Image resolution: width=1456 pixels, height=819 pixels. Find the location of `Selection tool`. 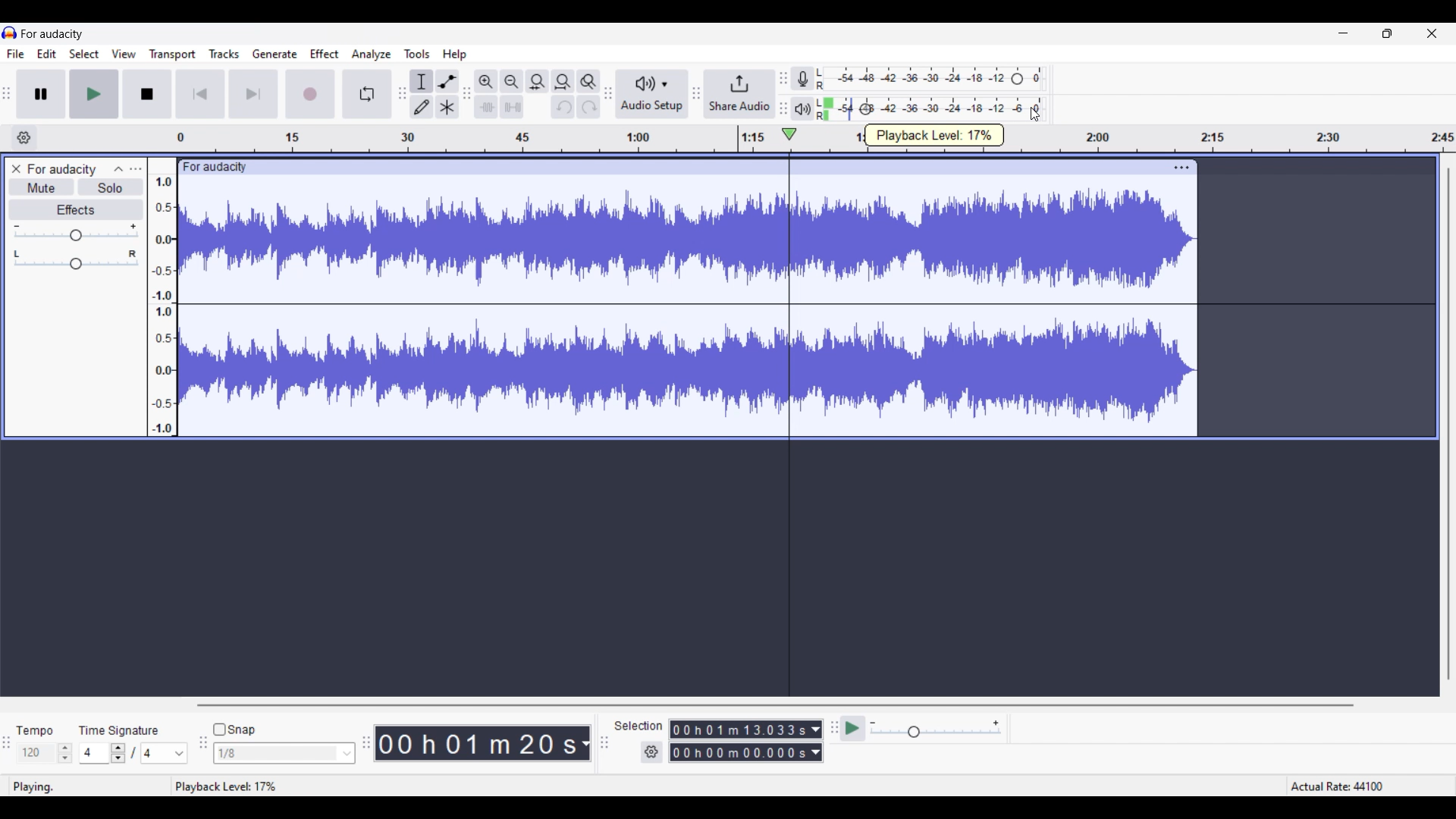

Selection tool is located at coordinates (422, 81).